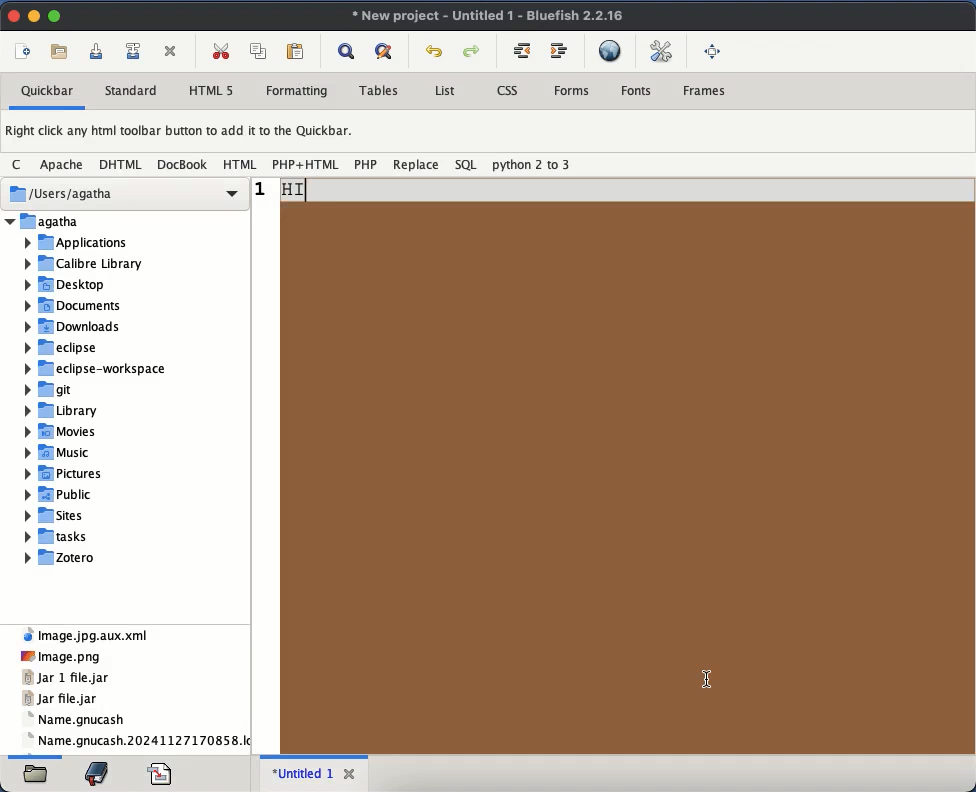 The width and height of the screenshot is (976, 792). I want to click on tables, so click(381, 88).